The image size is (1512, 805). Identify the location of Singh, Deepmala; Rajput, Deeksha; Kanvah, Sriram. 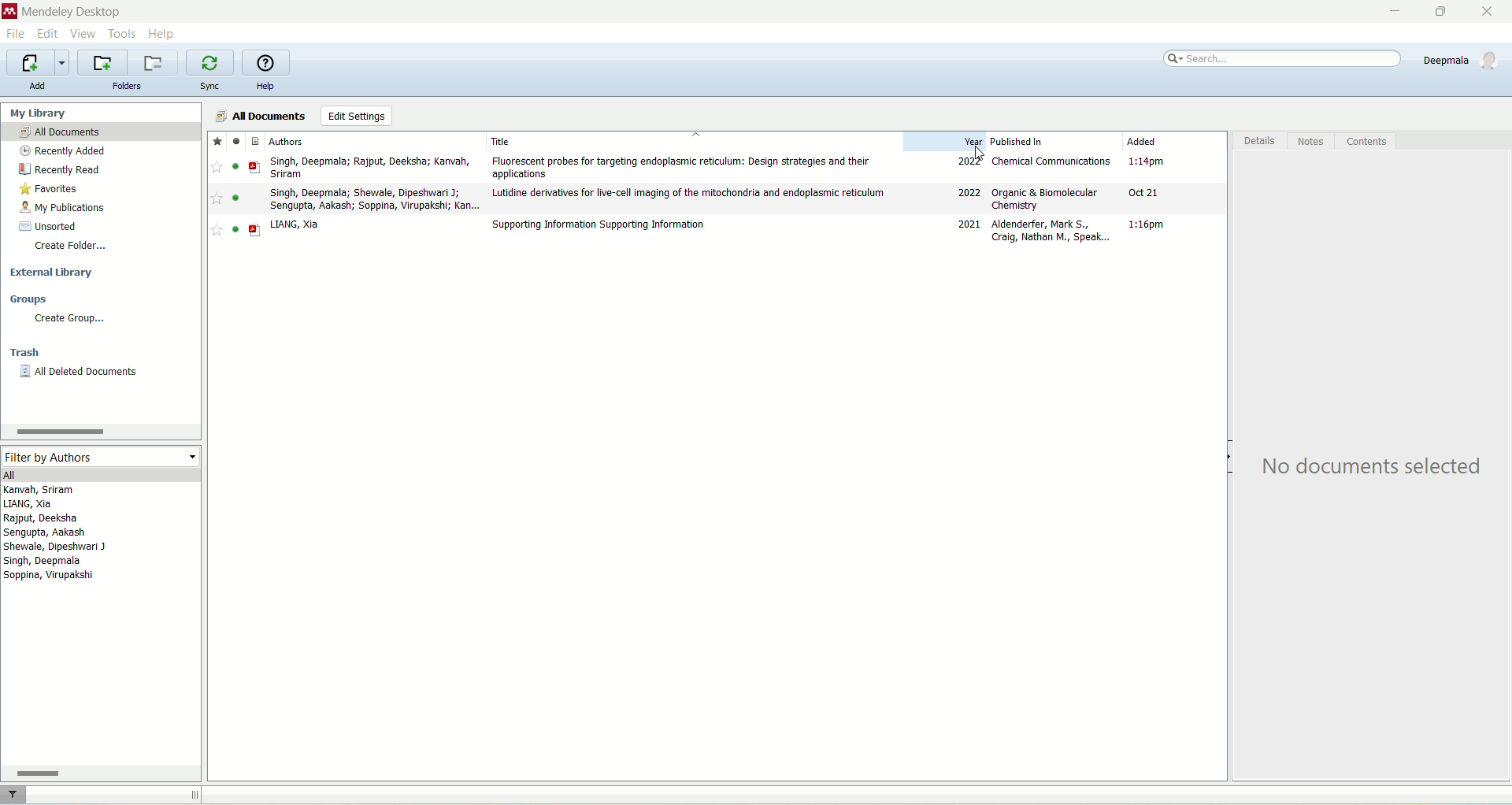
(371, 167).